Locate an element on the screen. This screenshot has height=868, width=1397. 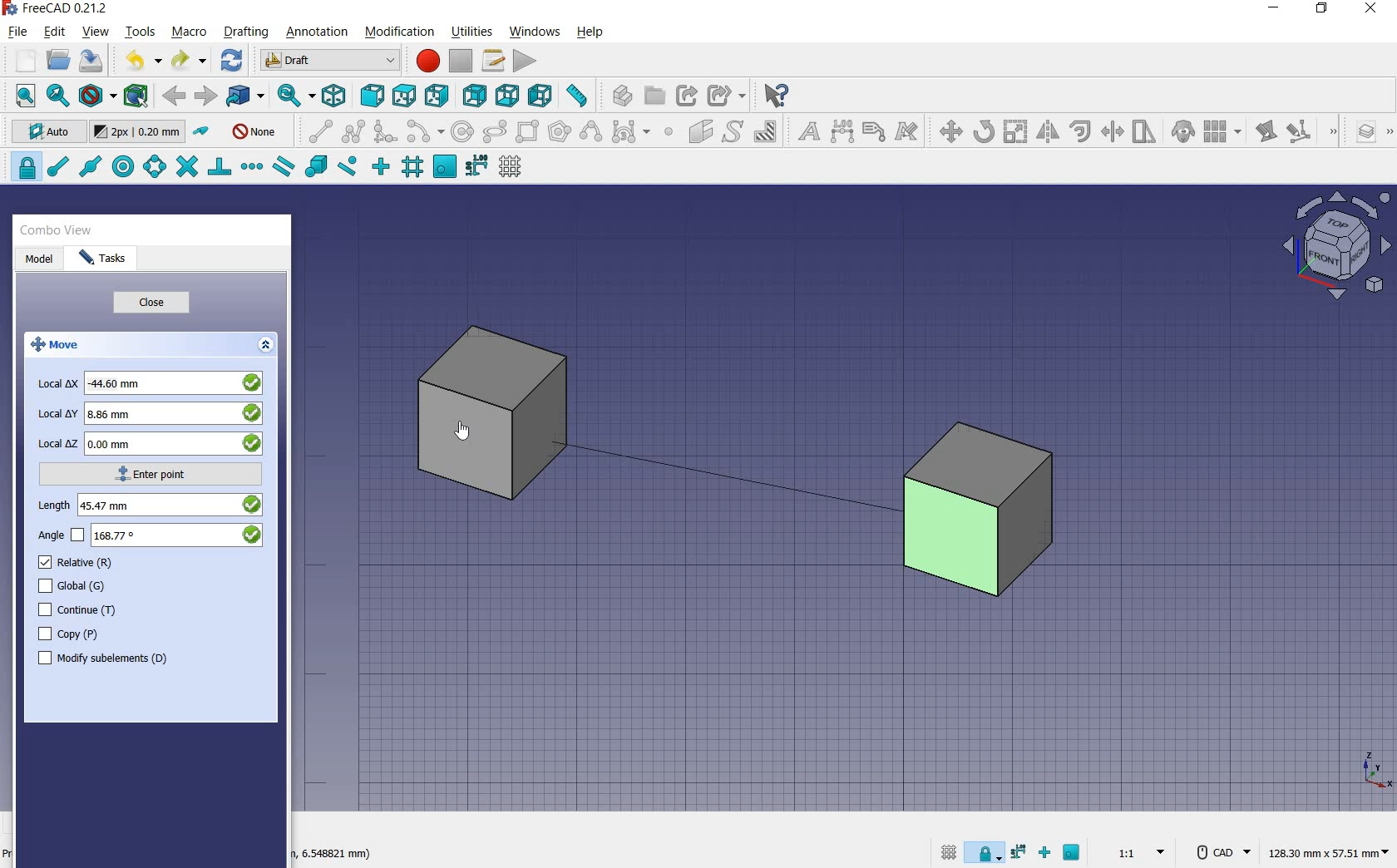
file is located at coordinates (19, 31).